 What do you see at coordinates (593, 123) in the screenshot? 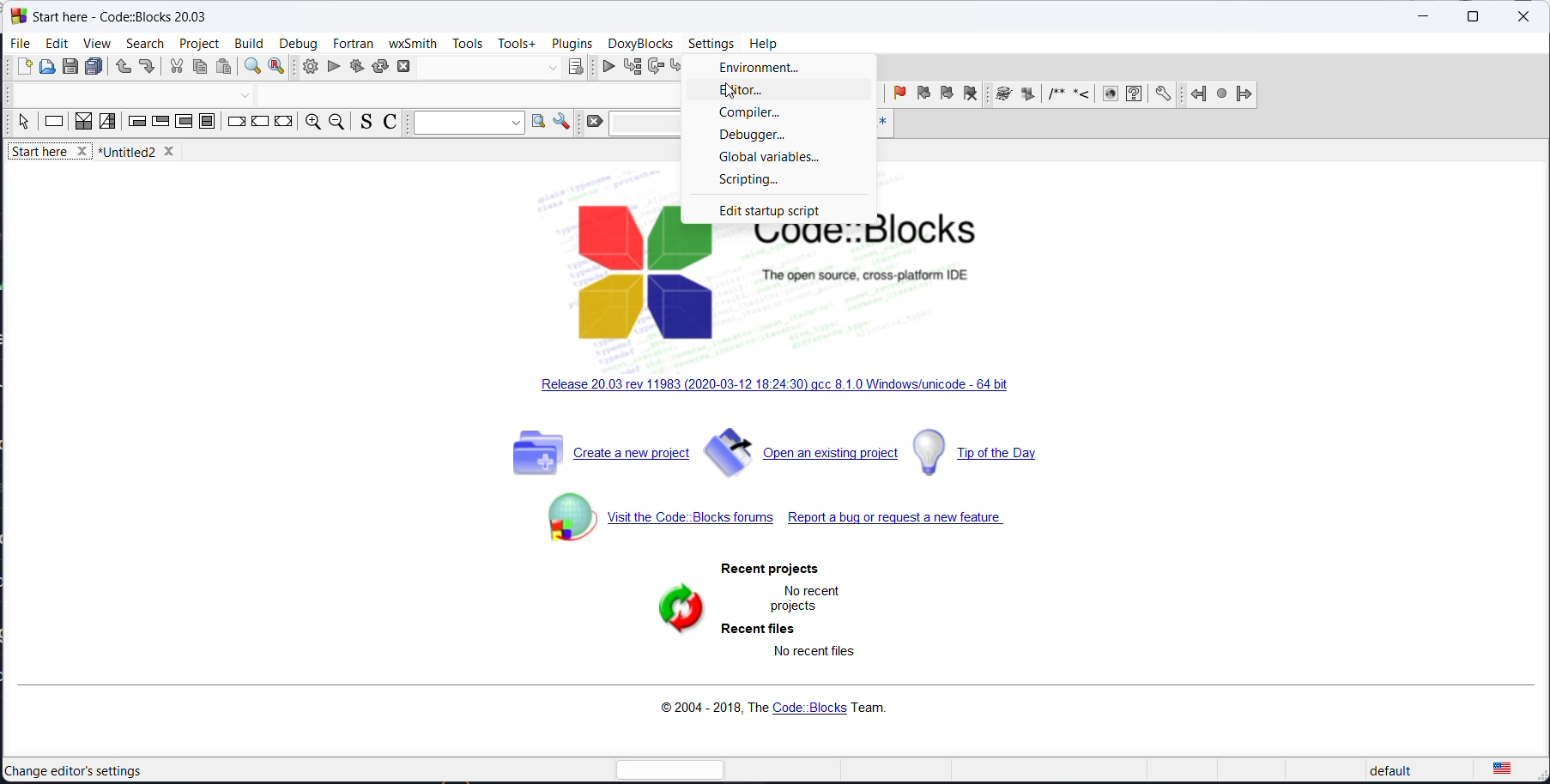
I see `clear` at bounding box center [593, 123].